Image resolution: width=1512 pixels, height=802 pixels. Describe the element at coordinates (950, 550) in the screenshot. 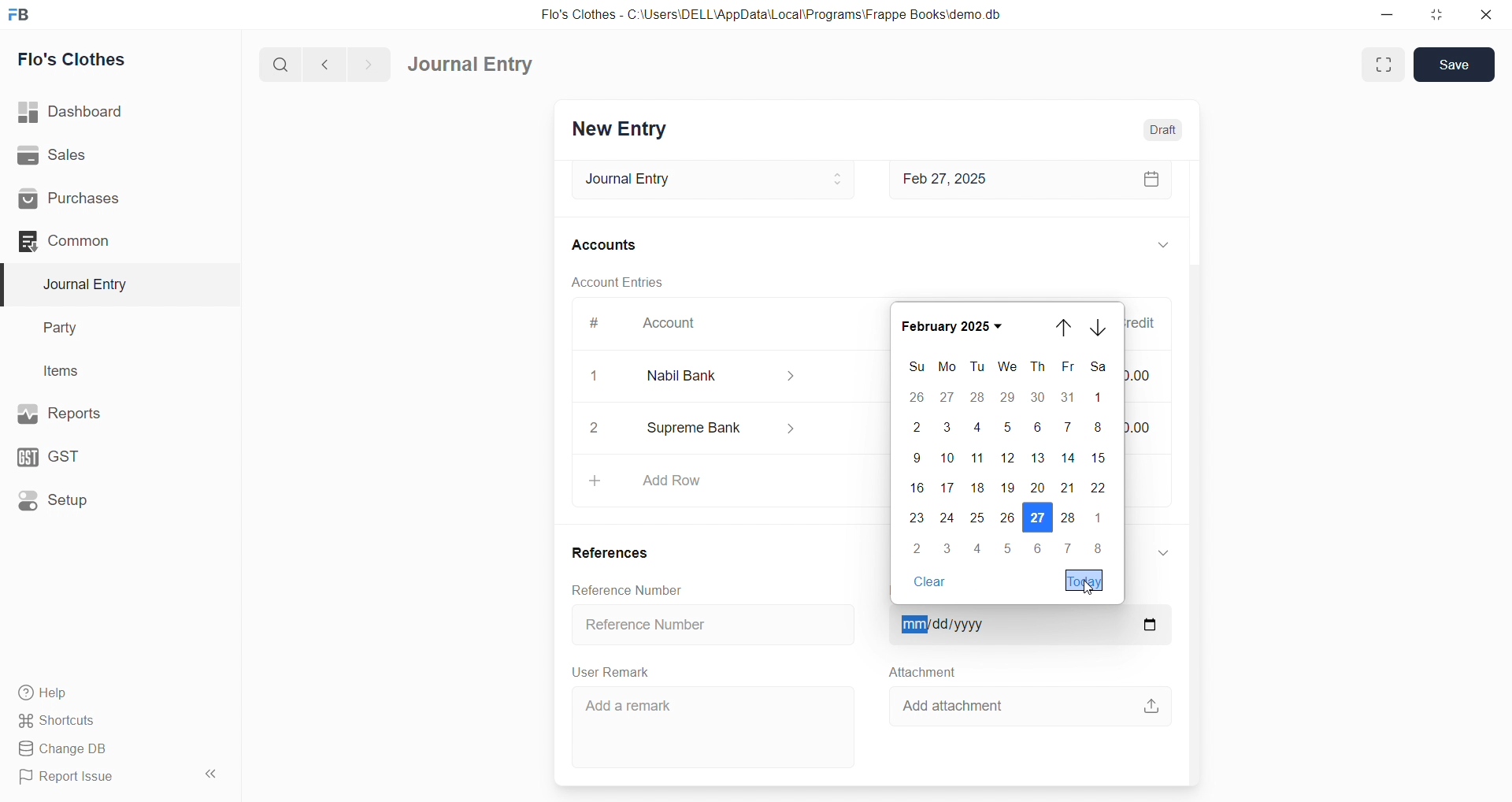

I see `3` at that location.